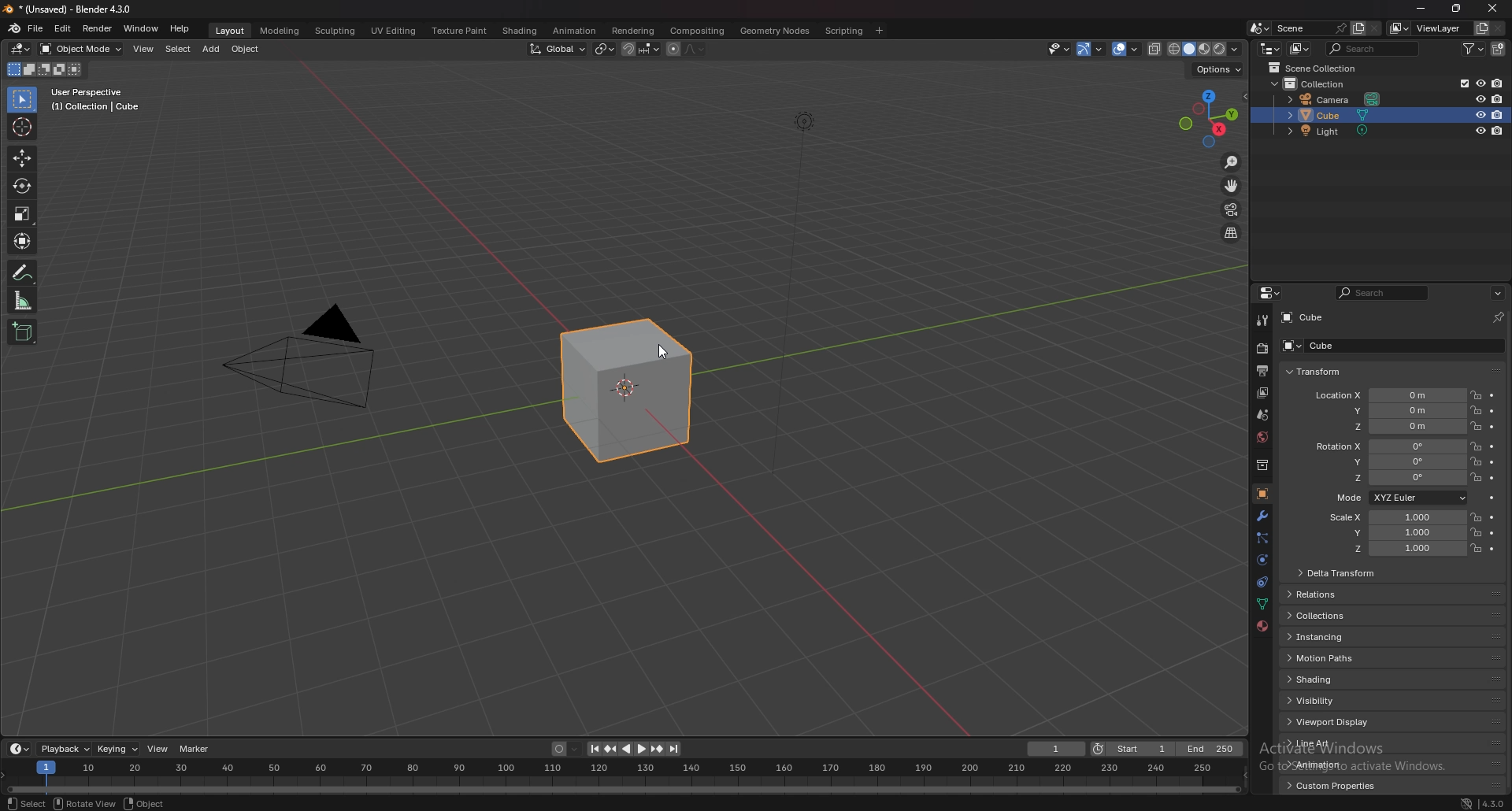  What do you see at coordinates (1476, 446) in the screenshot?
I see `lock` at bounding box center [1476, 446].